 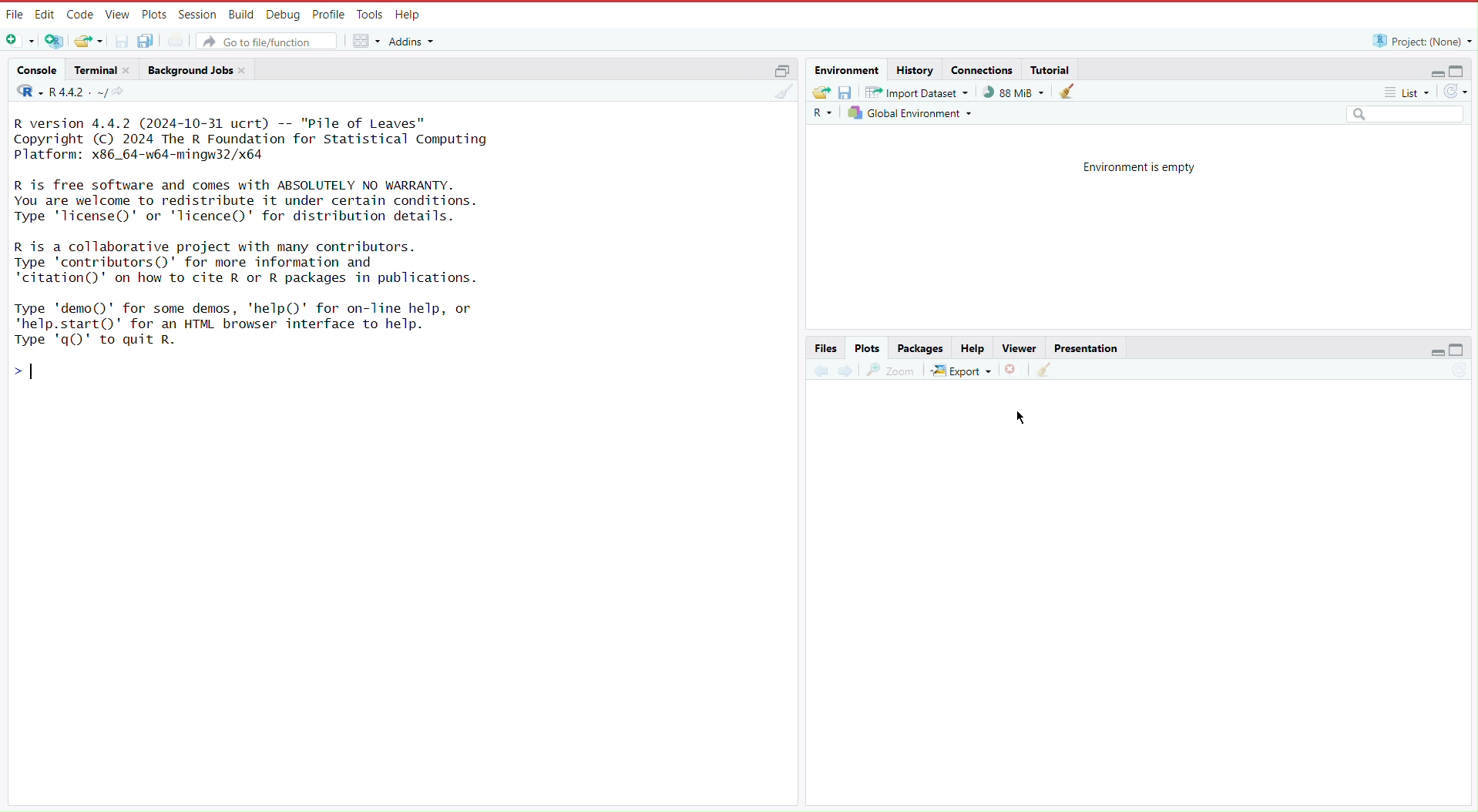 What do you see at coordinates (1086, 347) in the screenshot?
I see `Presentation` at bounding box center [1086, 347].